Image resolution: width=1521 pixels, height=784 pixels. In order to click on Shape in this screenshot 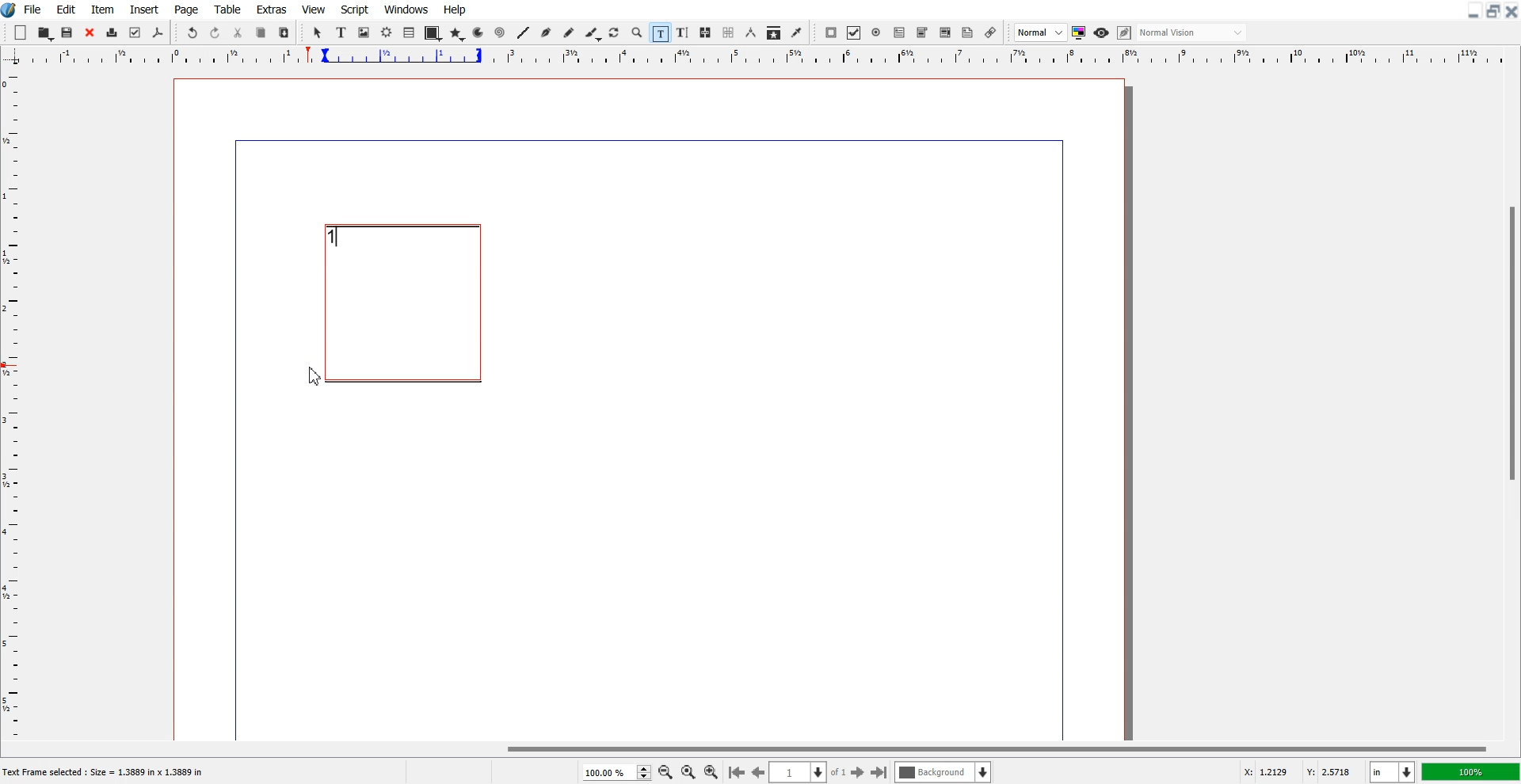, I will do `click(433, 33)`.